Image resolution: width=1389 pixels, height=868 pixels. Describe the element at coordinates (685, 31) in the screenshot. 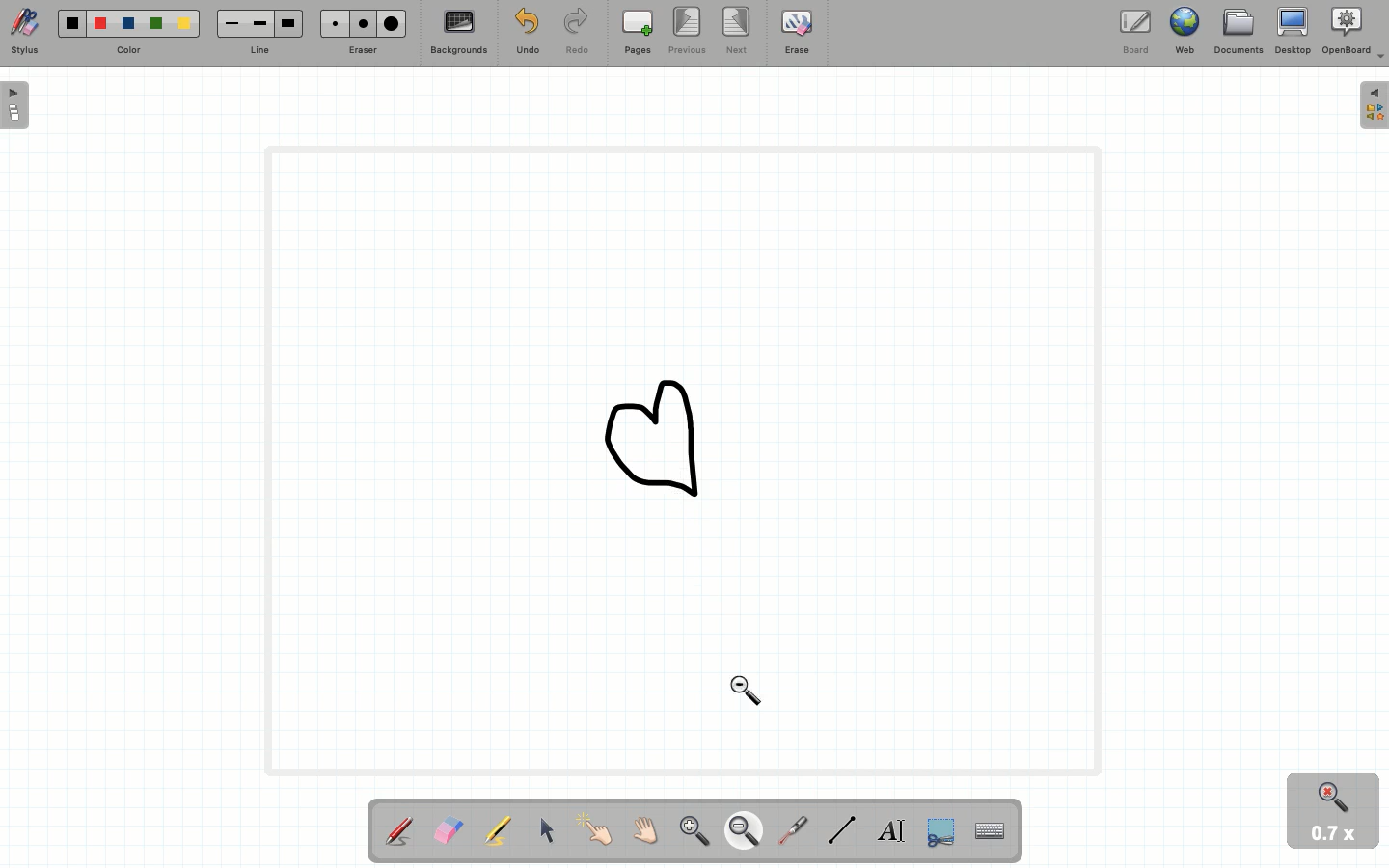

I see `Previous` at that location.